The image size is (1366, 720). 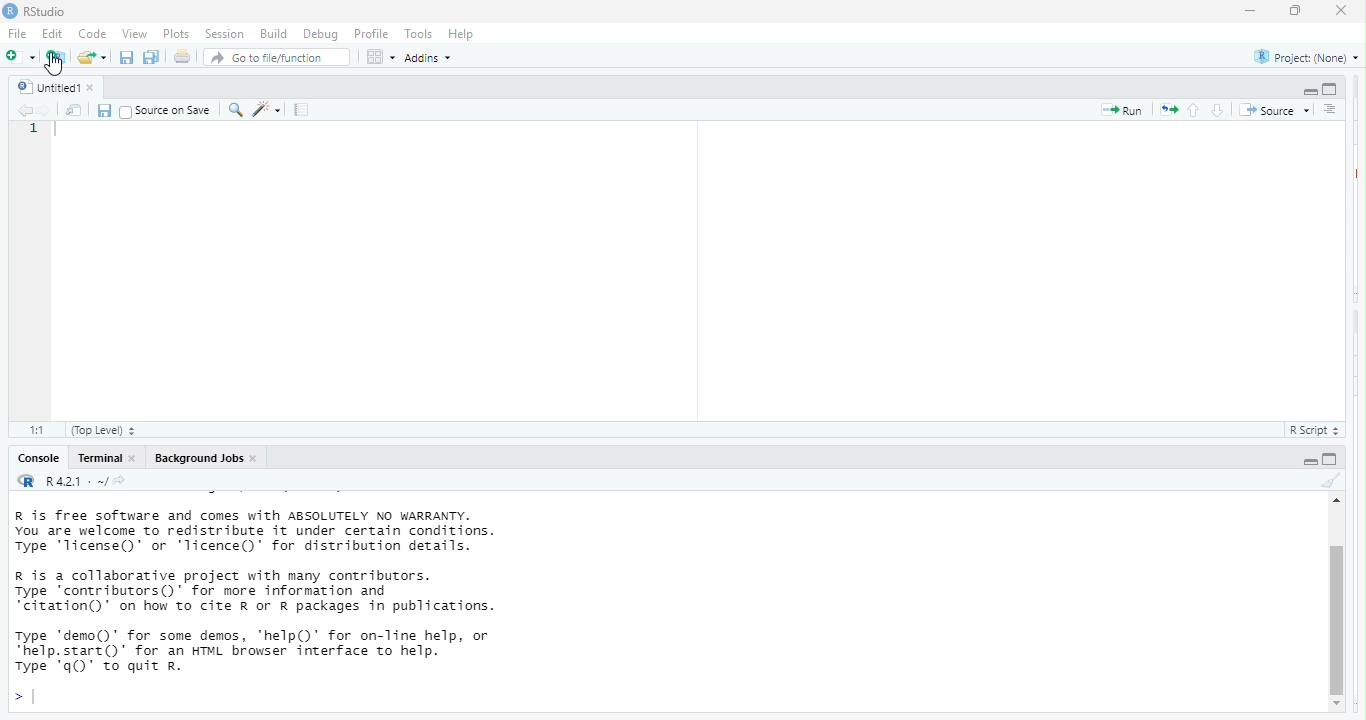 I want to click on maximize, so click(x=1292, y=12).